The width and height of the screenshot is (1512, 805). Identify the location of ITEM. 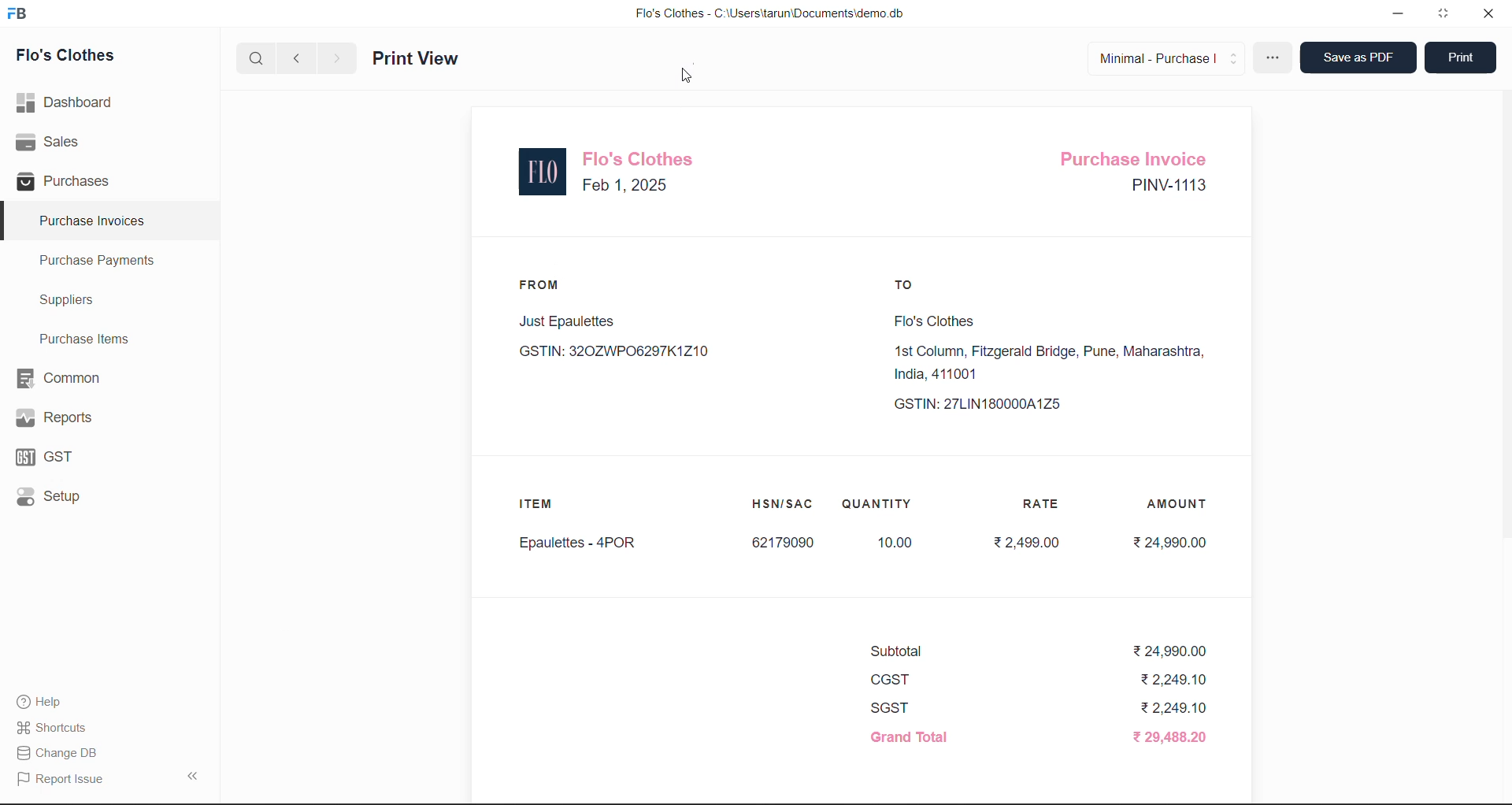
(543, 507).